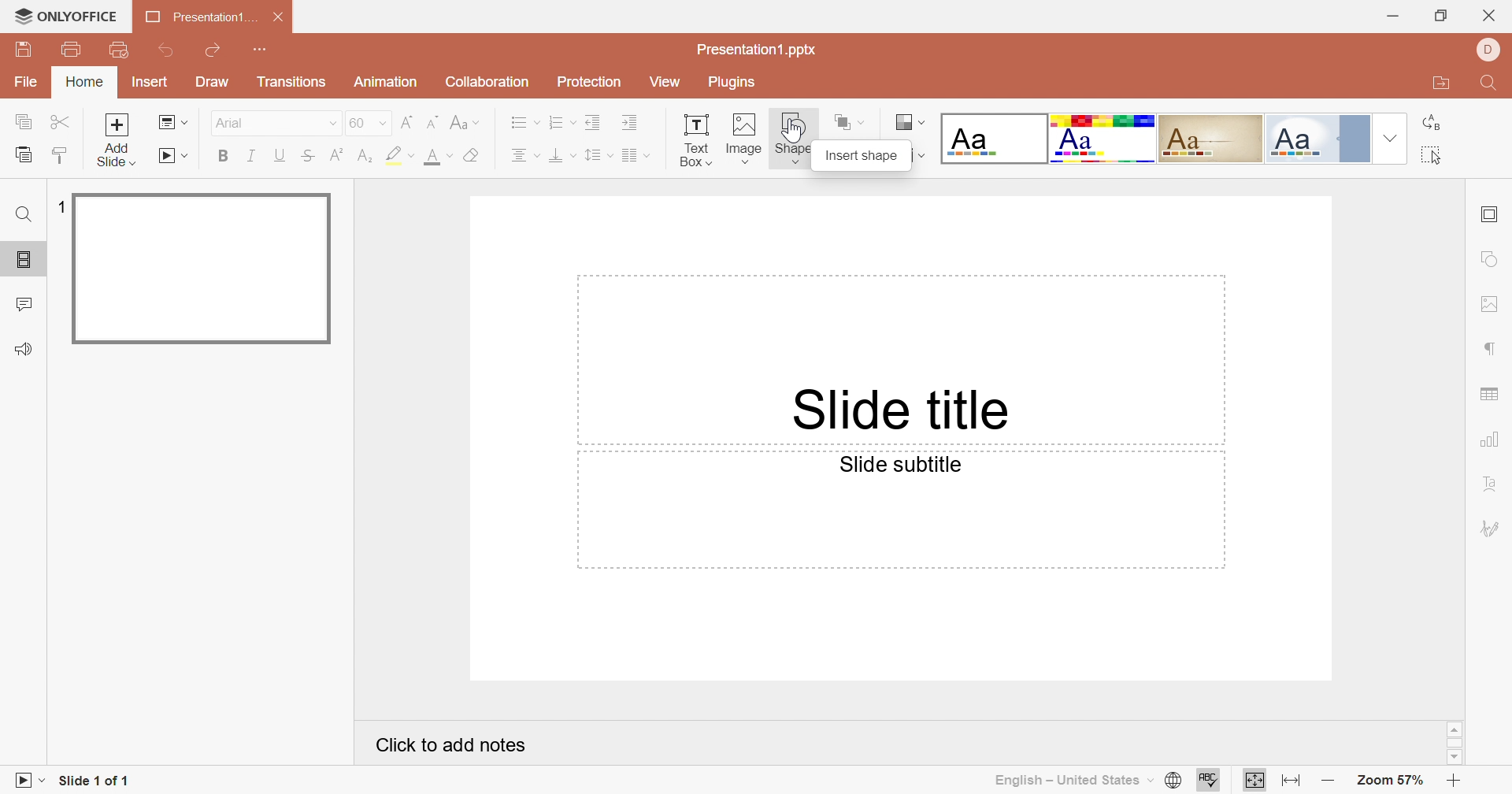  I want to click on Copy style, so click(60, 158).